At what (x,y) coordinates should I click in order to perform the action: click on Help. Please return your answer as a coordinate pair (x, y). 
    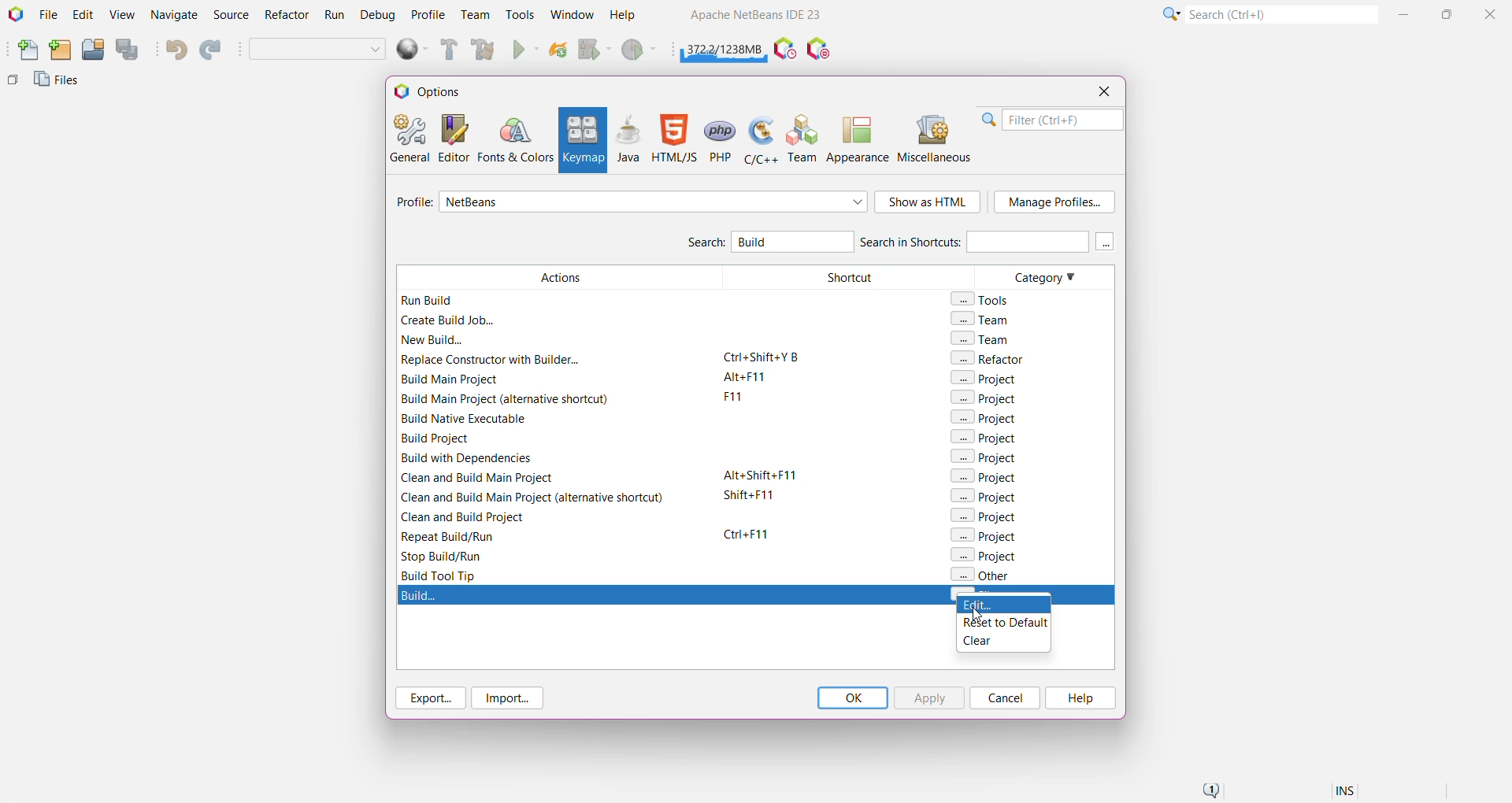
    Looking at the image, I should click on (1079, 698).